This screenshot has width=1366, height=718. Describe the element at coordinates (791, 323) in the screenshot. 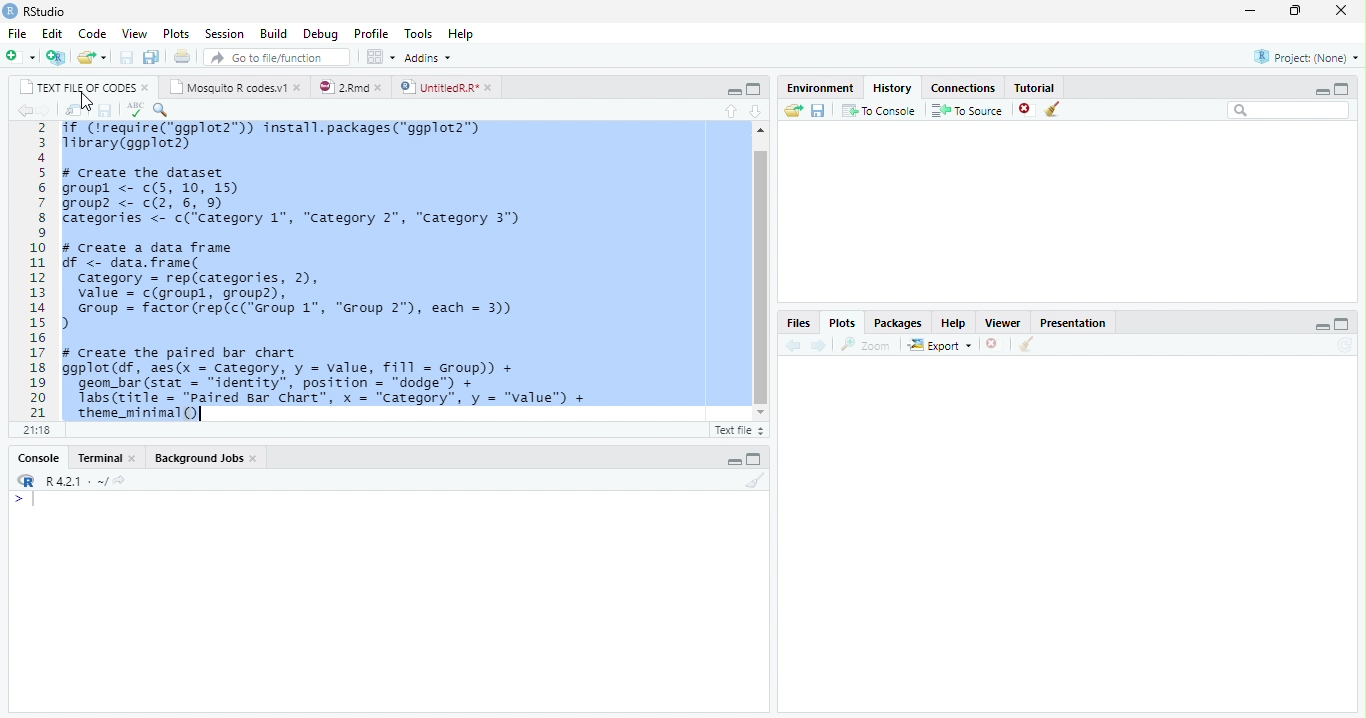

I see `files` at that location.